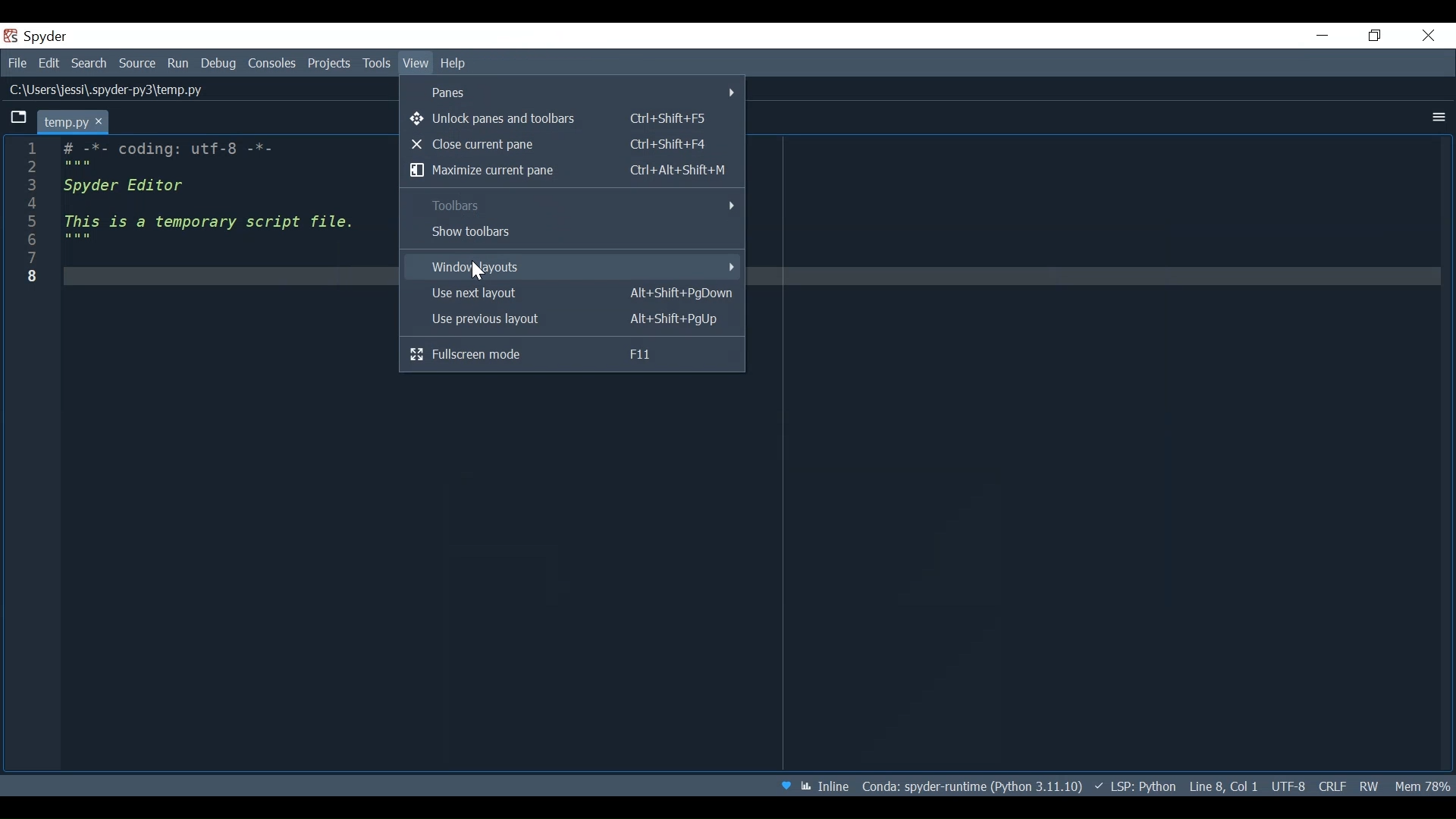 The height and width of the screenshot is (819, 1456). Describe the element at coordinates (826, 786) in the screenshot. I see `Toggle inline and interactive Matplotlib plotting` at that location.